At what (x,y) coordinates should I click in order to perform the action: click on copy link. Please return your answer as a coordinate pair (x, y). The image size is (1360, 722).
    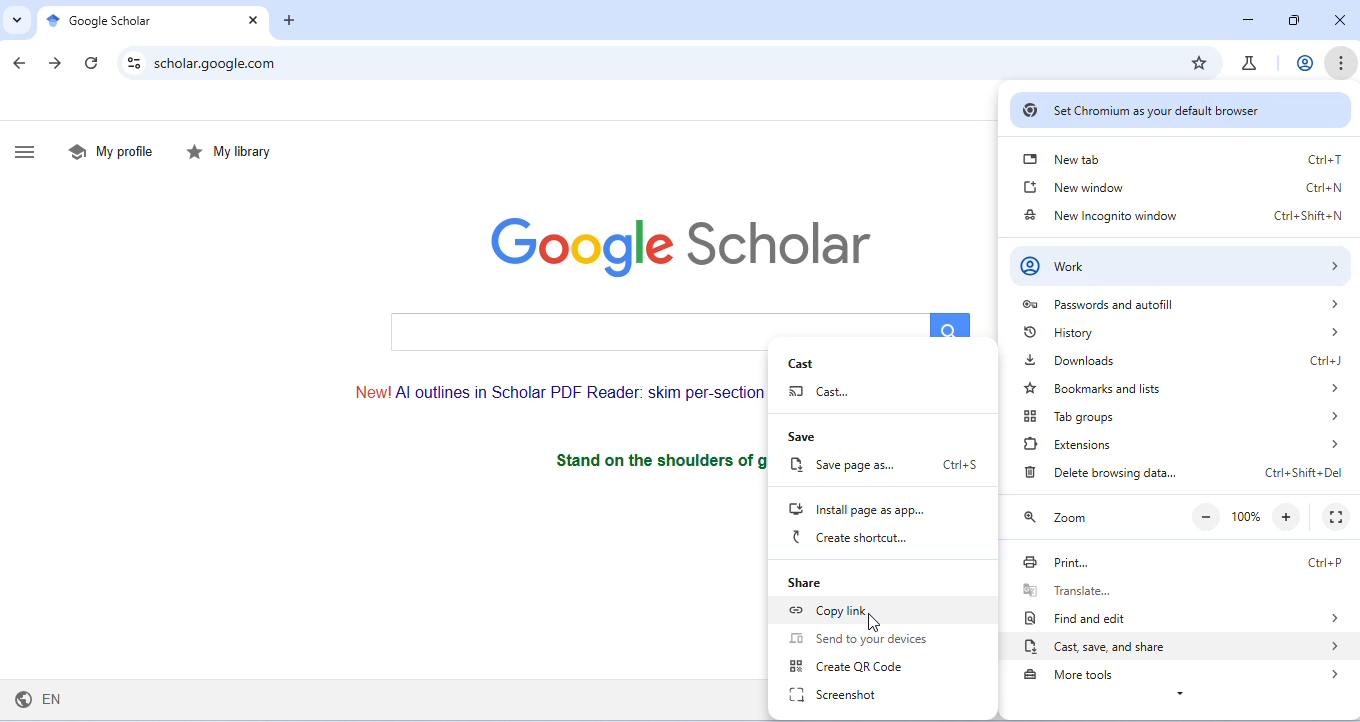
    Looking at the image, I should click on (834, 612).